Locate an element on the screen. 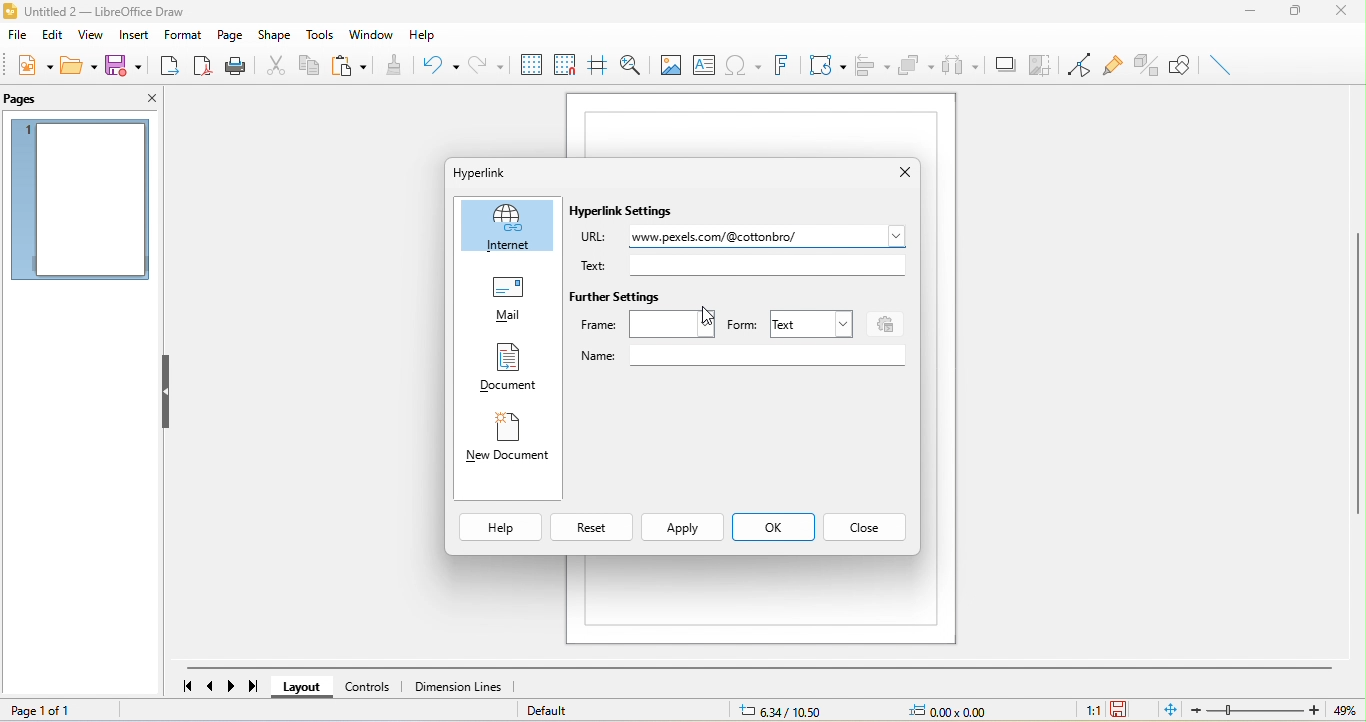 This screenshot has width=1366, height=722. show draw function is located at coordinates (1181, 62).